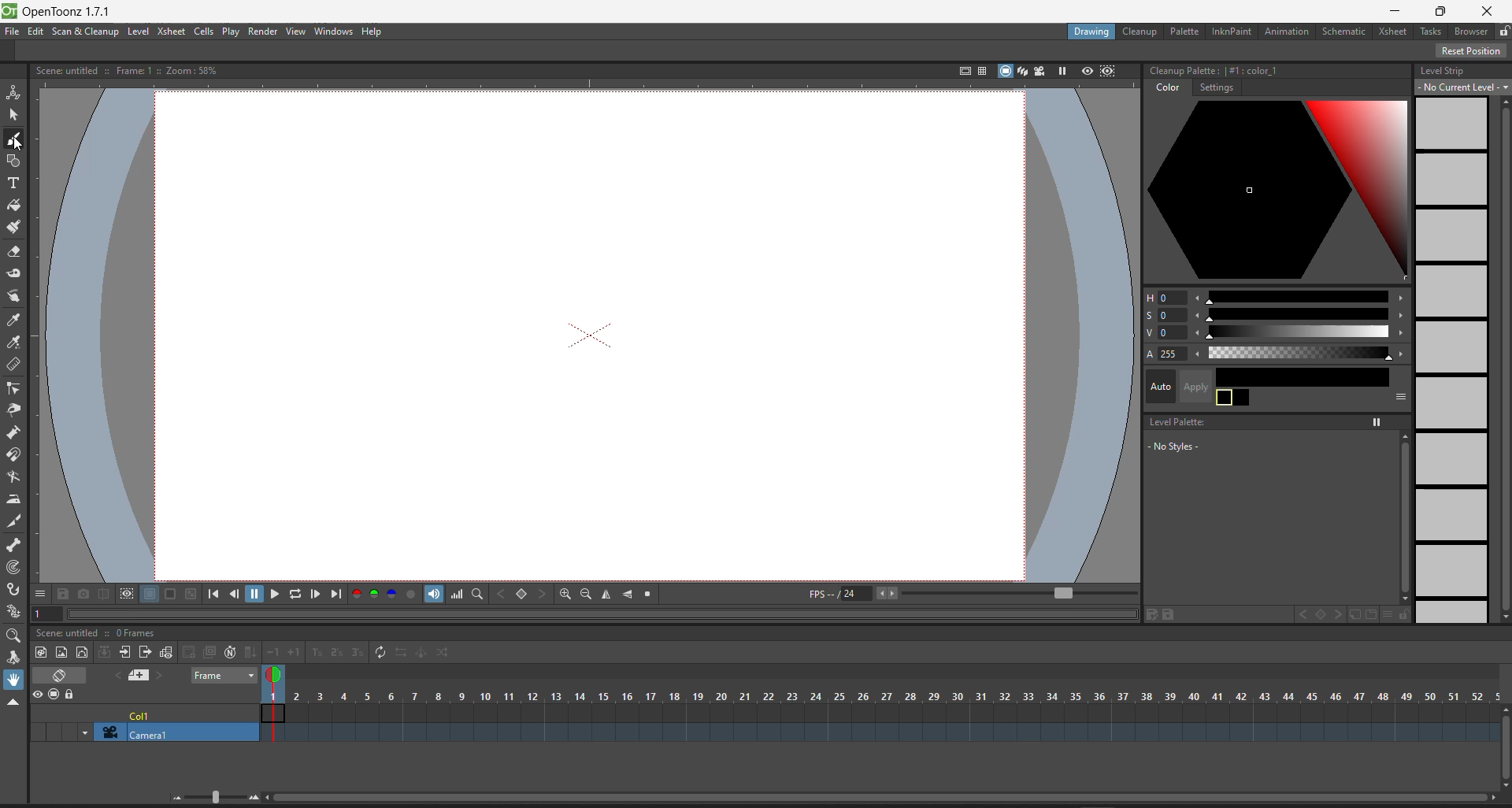 The width and height of the screenshot is (1512, 808). What do you see at coordinates (161, 675) in the screenshot?
I see `next memo` at bounding box center [161, 675].